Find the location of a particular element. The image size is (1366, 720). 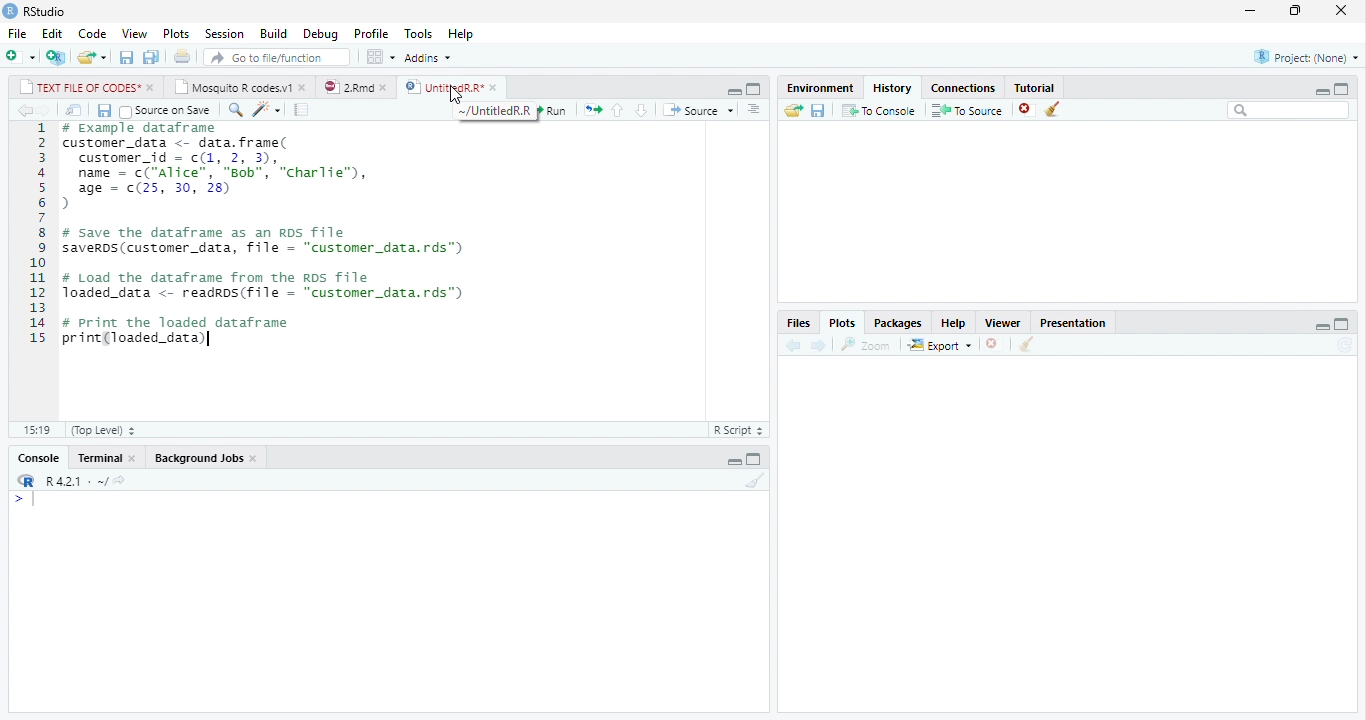

close is located at coordinates (387, 87).